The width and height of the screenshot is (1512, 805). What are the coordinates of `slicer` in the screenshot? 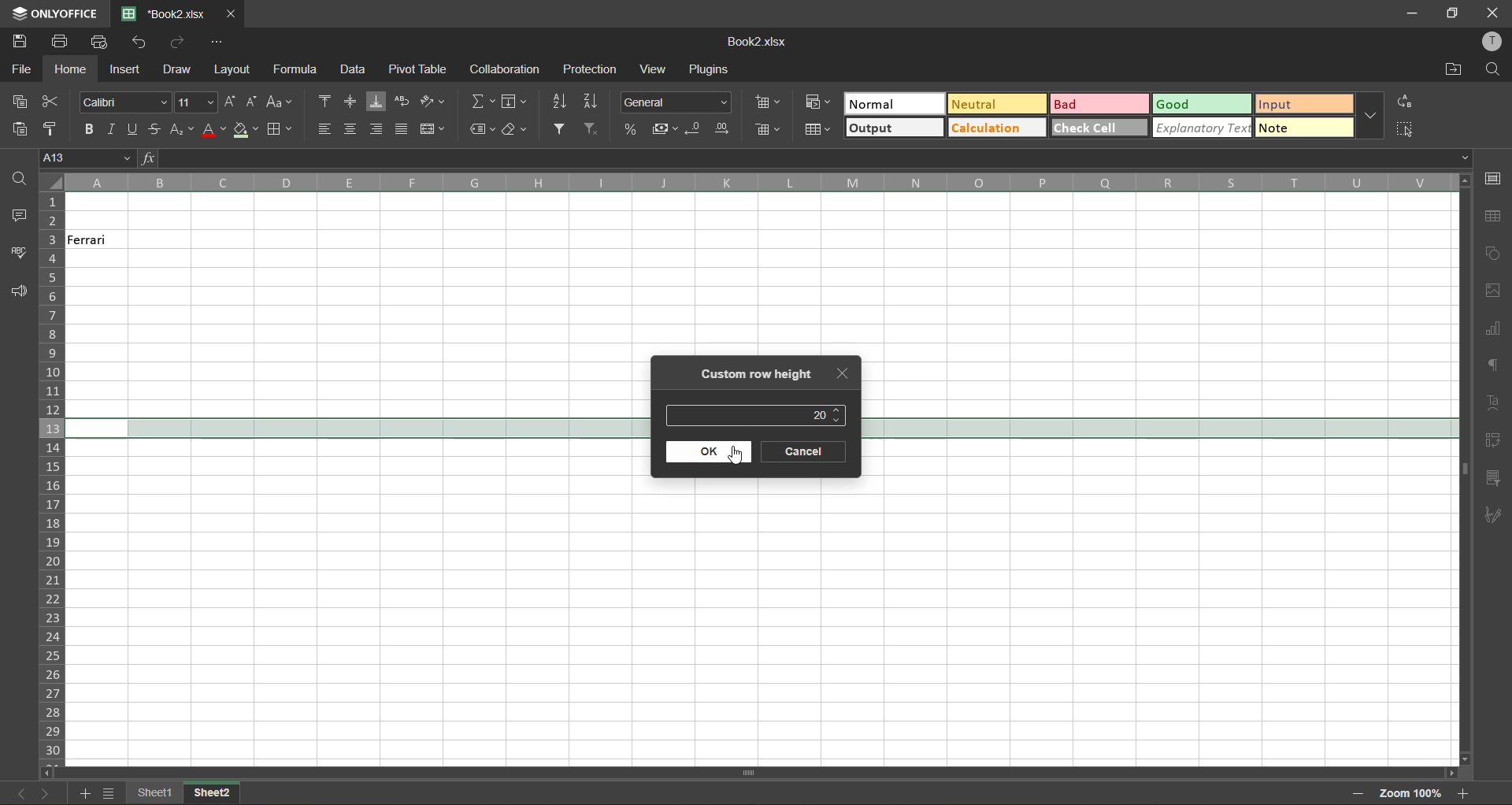 It's located at (1495, 480).